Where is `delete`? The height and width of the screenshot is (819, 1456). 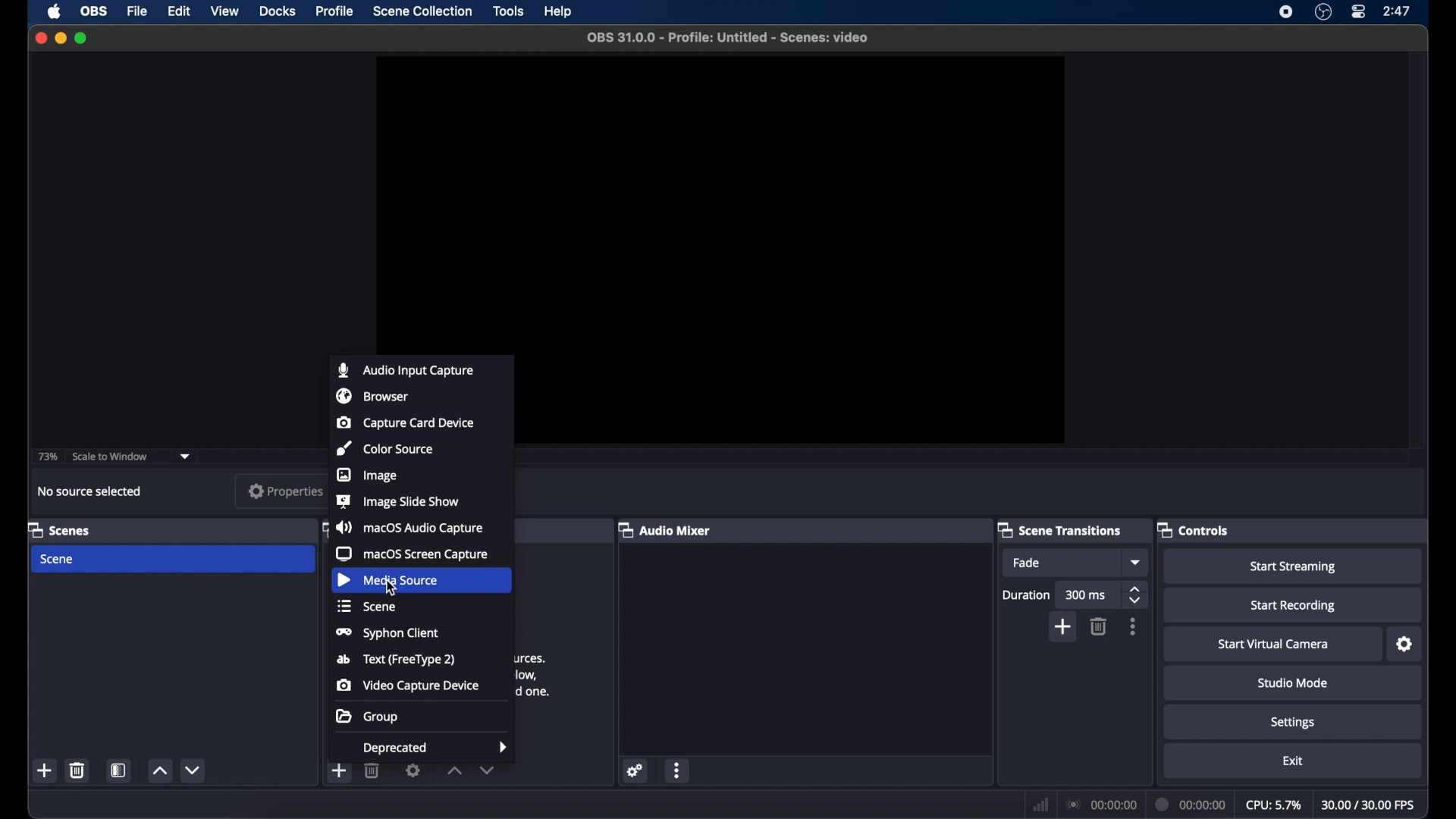 delete is located at coordinates (1098, 626).